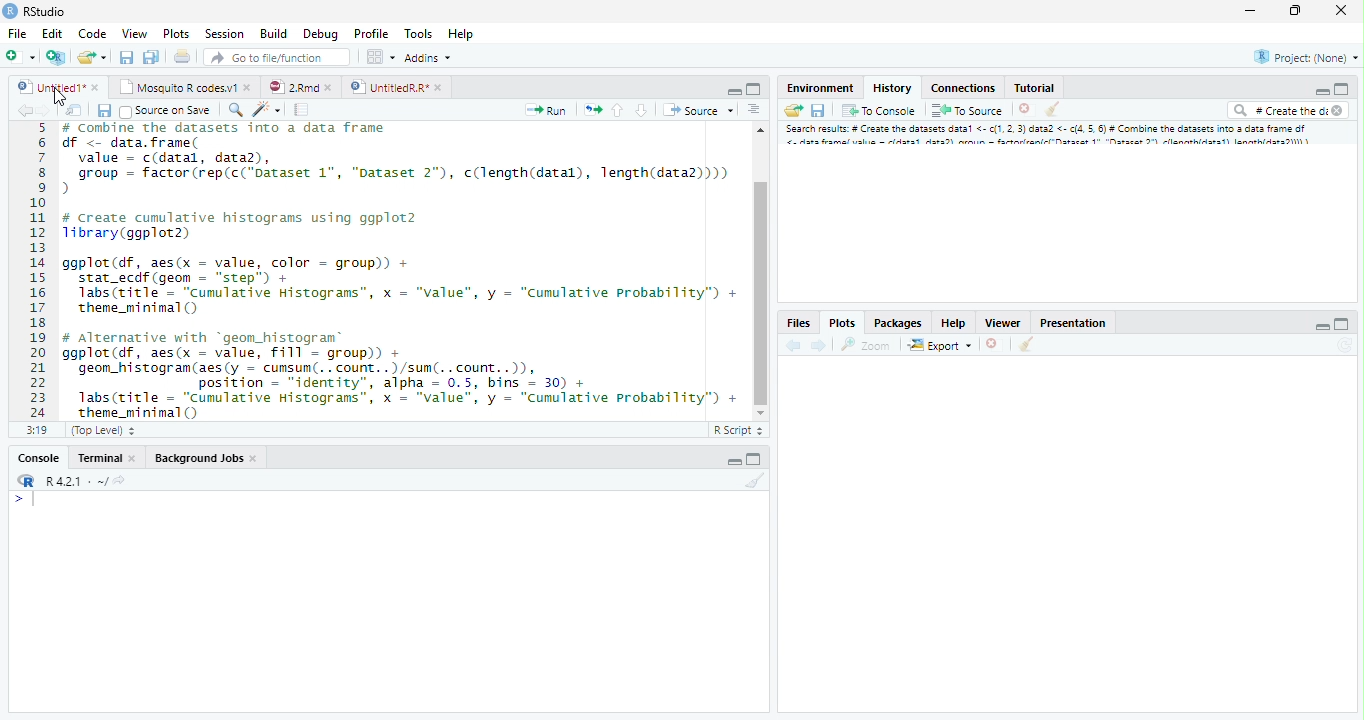 The height and width of the screenshot is (720, 1364). Describe the element at coordinates (275, 58) in the screenshot. I see `Go to file/function` at that location.